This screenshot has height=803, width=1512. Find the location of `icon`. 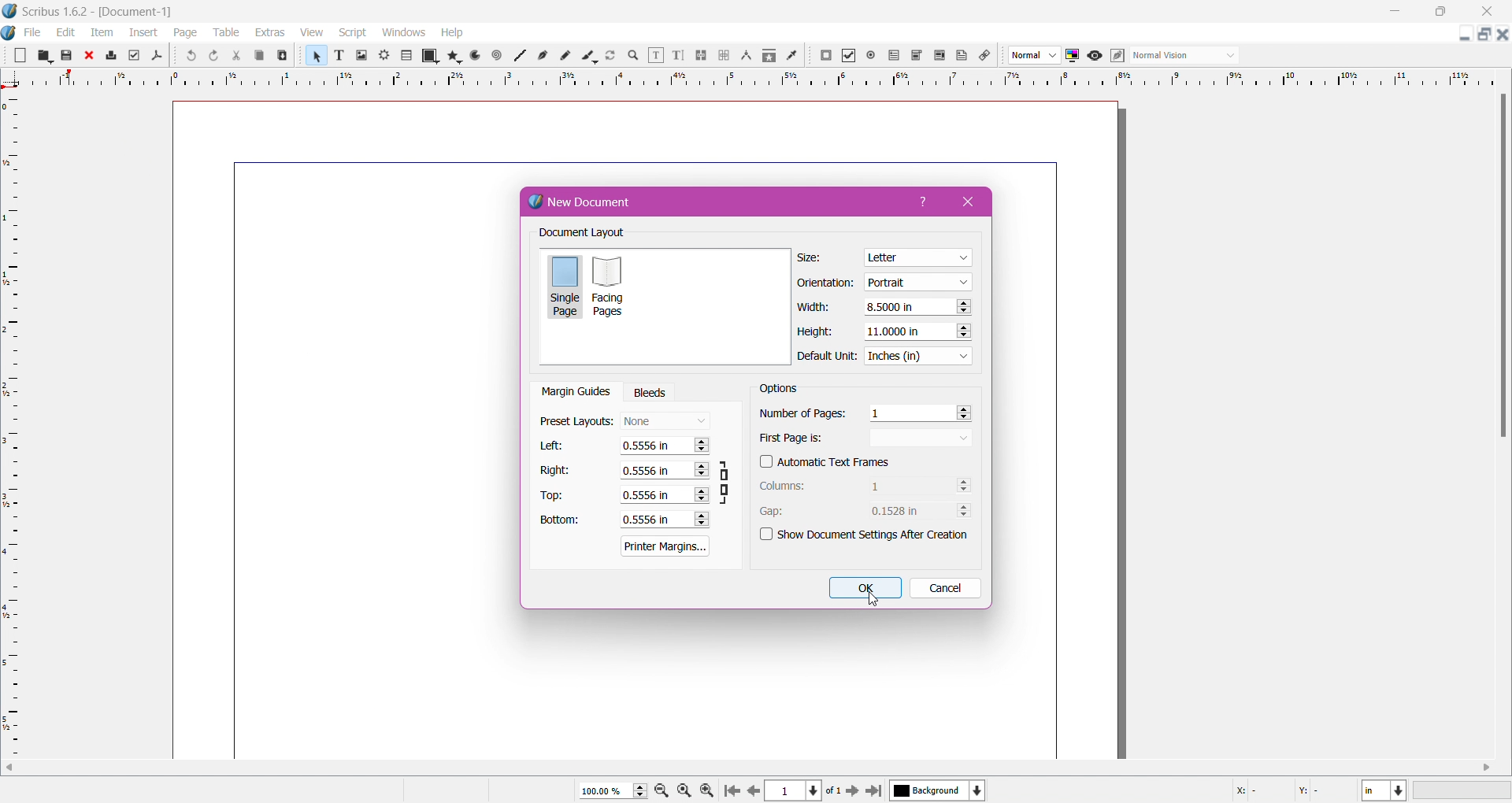

icon is located at coordinates (564, 56).